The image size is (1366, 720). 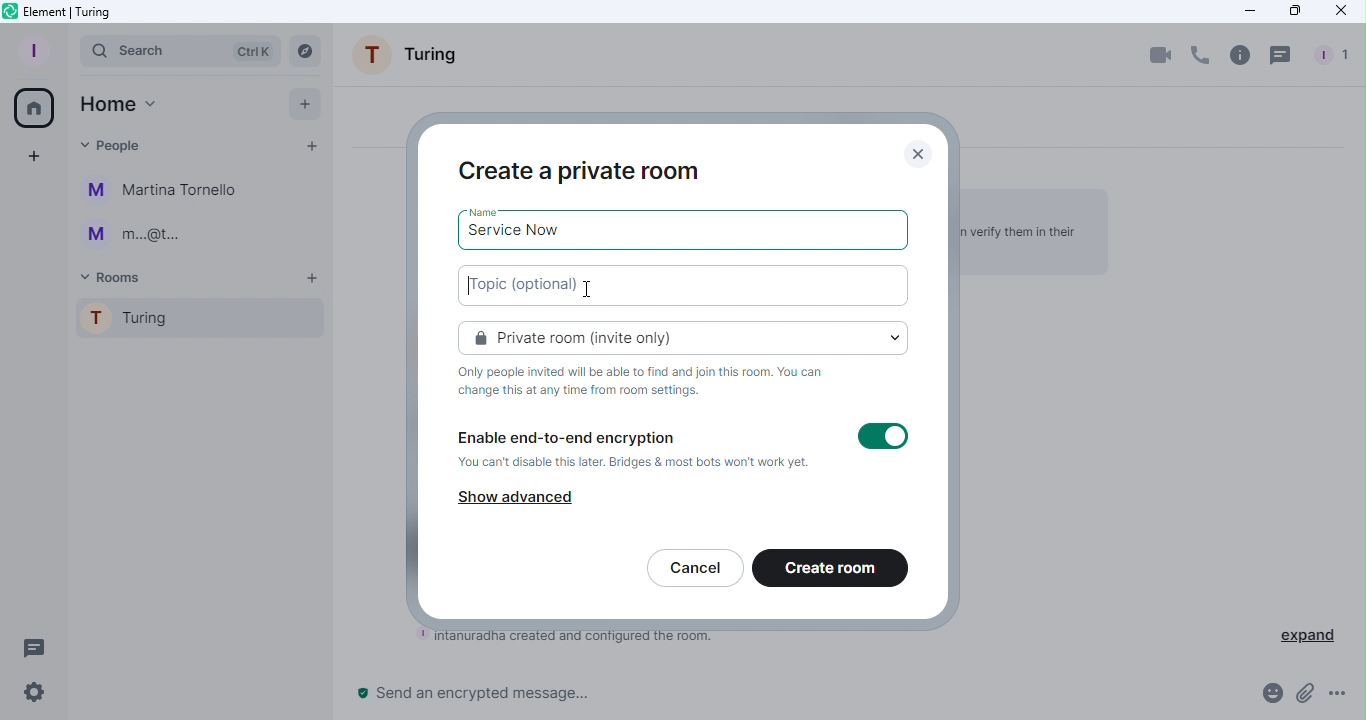 What do you see at coordinates (1340, 13) in the screenshot?
I see `Close` at bounding box center [1340, 13].